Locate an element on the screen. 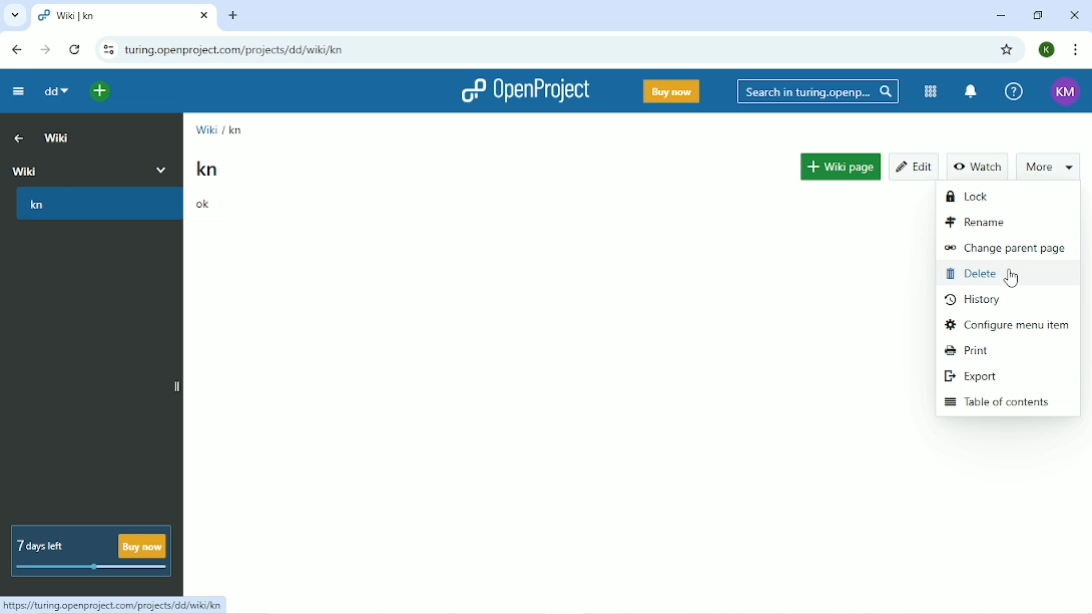 This screenshot has height=614, width=1092. cursor is located at coordinates (1013, 280).